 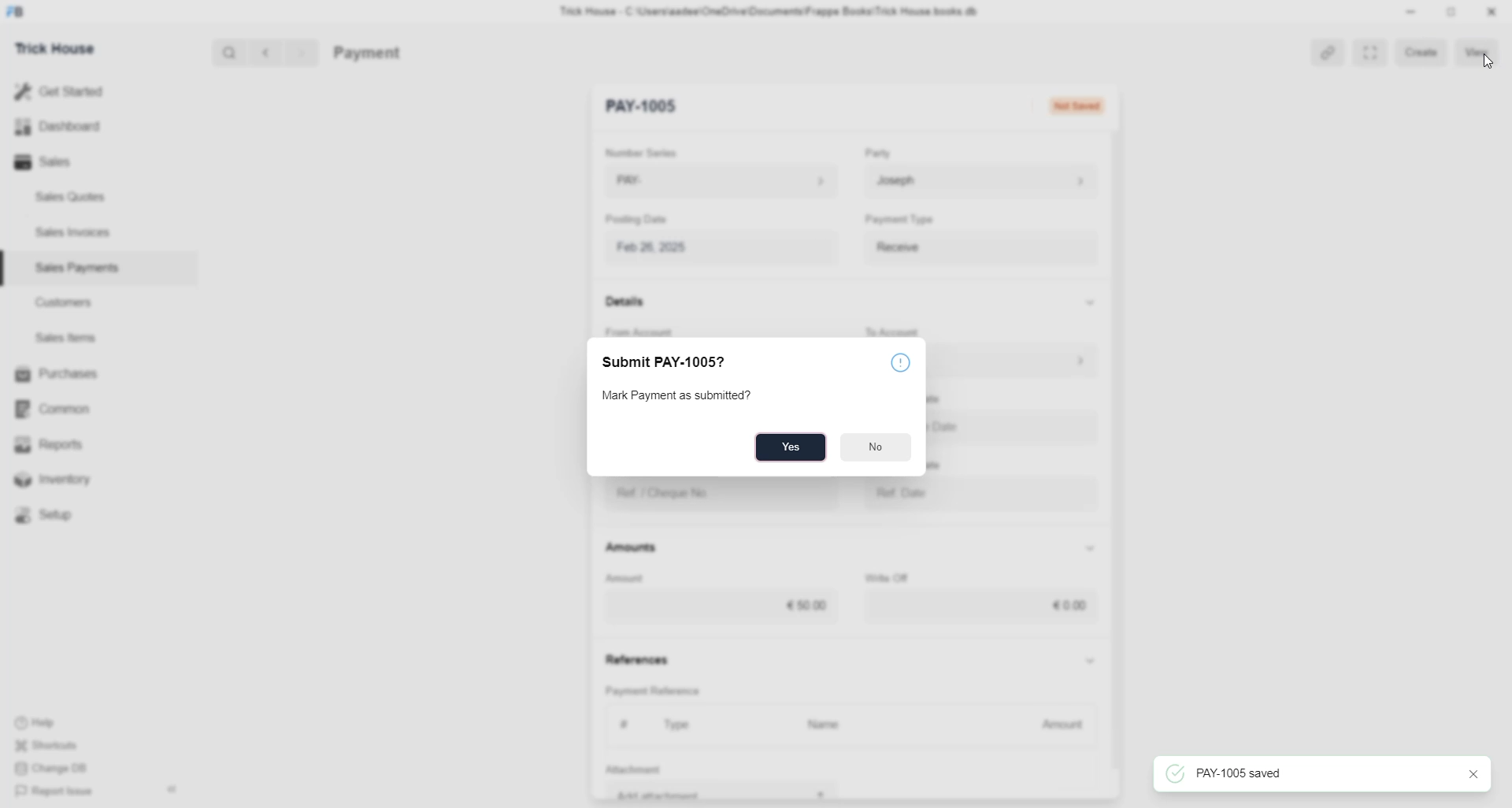 What do you see at coordinates (677, 725) in the screenshot?
I see `Type` at bounding box center [677, 725].